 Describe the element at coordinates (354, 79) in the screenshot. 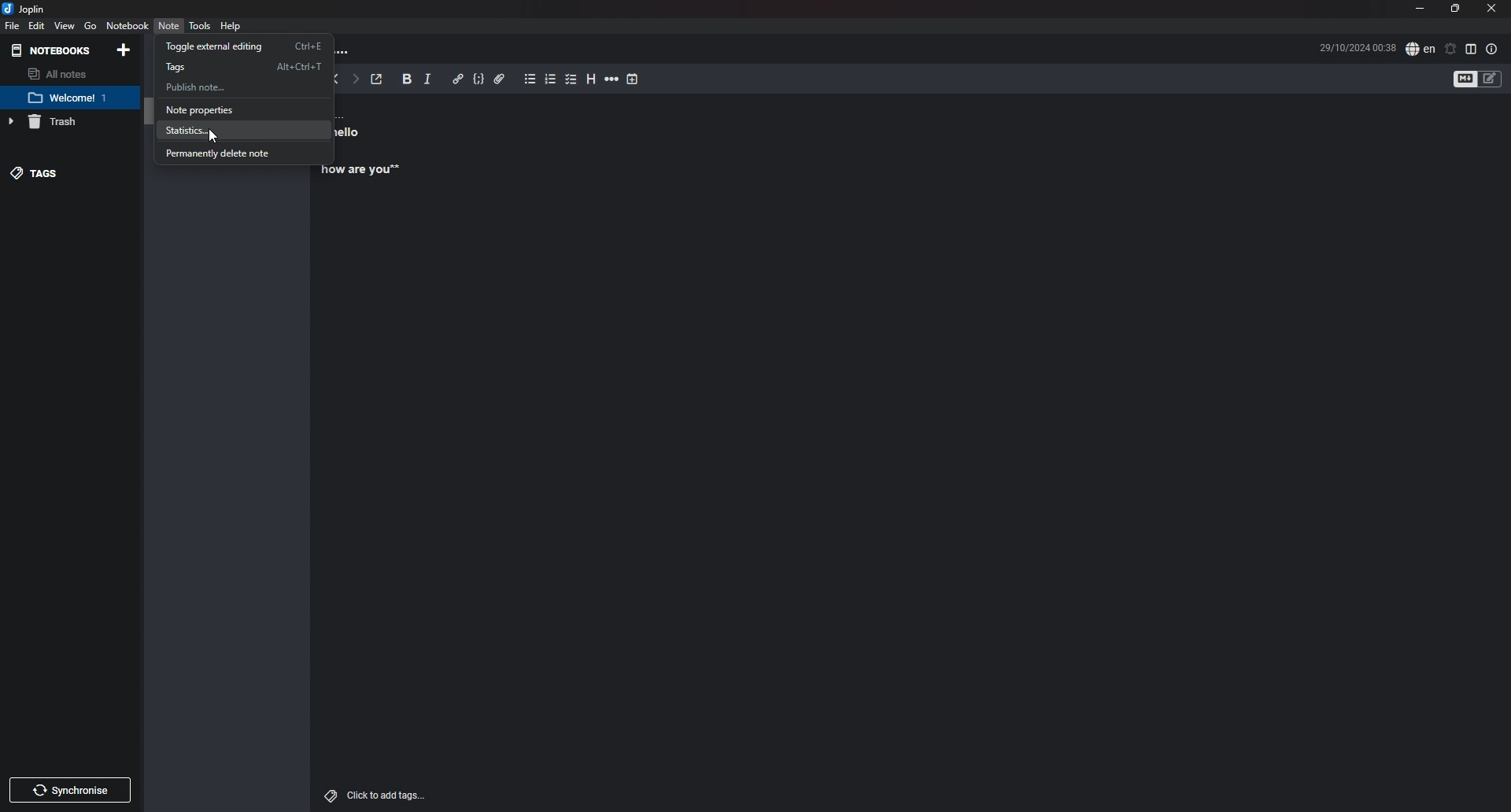

I see `Forward` at that location.